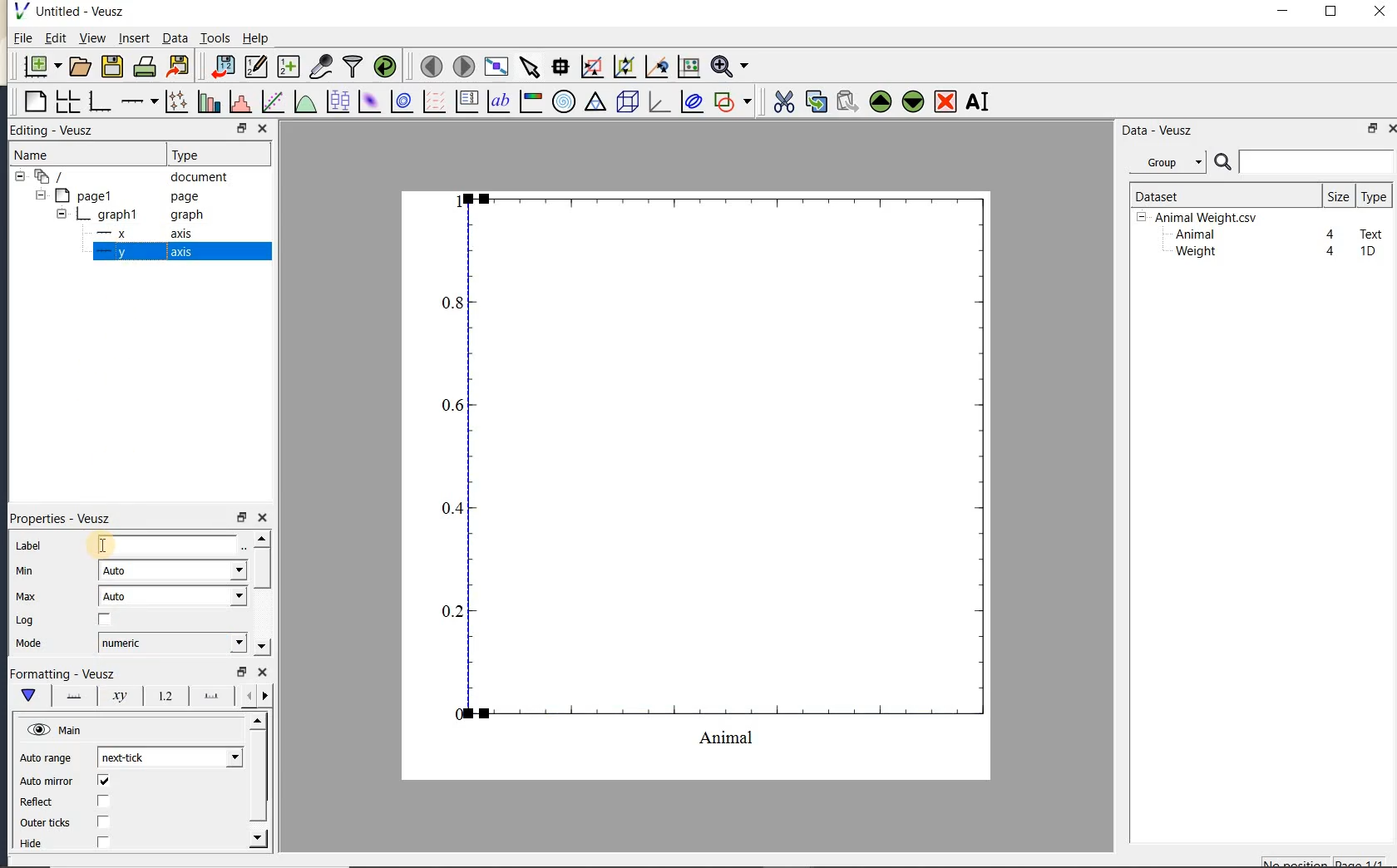 Image resolution: width=1397 pixels, height=868 pixels. What do you see at coordinates (717, 469) in the screenshot?
I see `graph` at bounding box center [717, 469].